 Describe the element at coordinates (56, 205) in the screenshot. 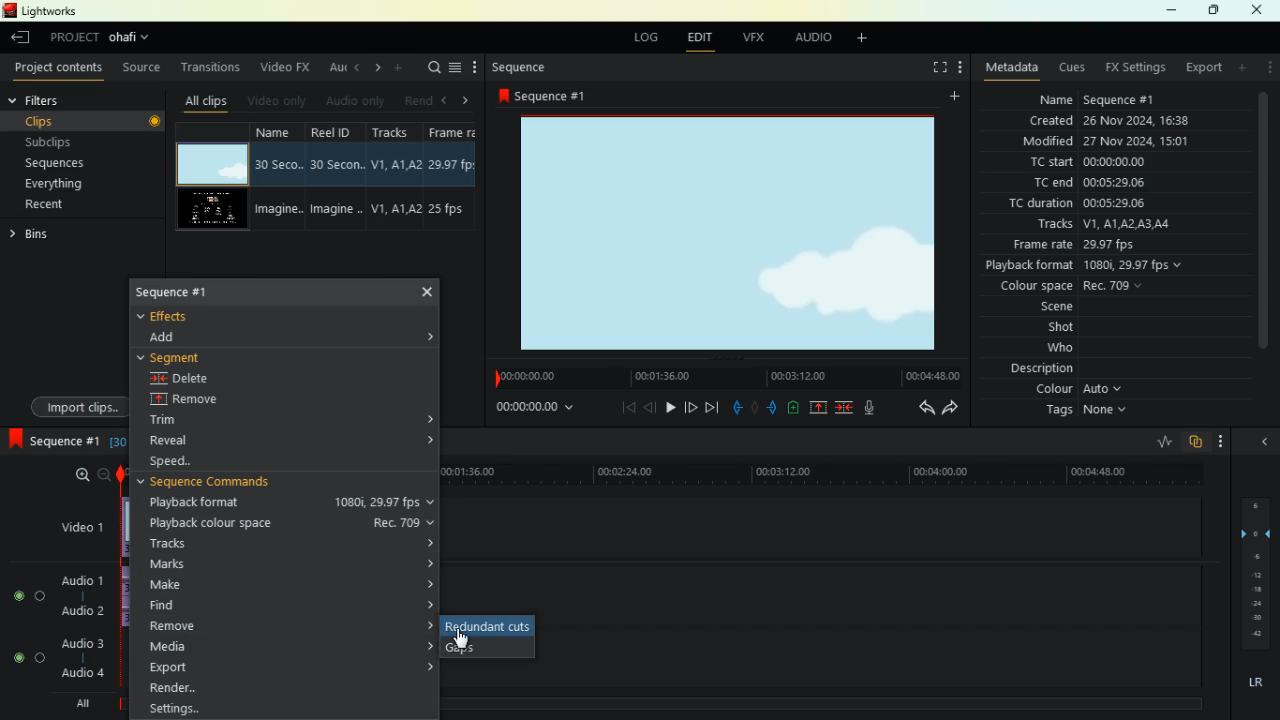

I see `recent` at that location.